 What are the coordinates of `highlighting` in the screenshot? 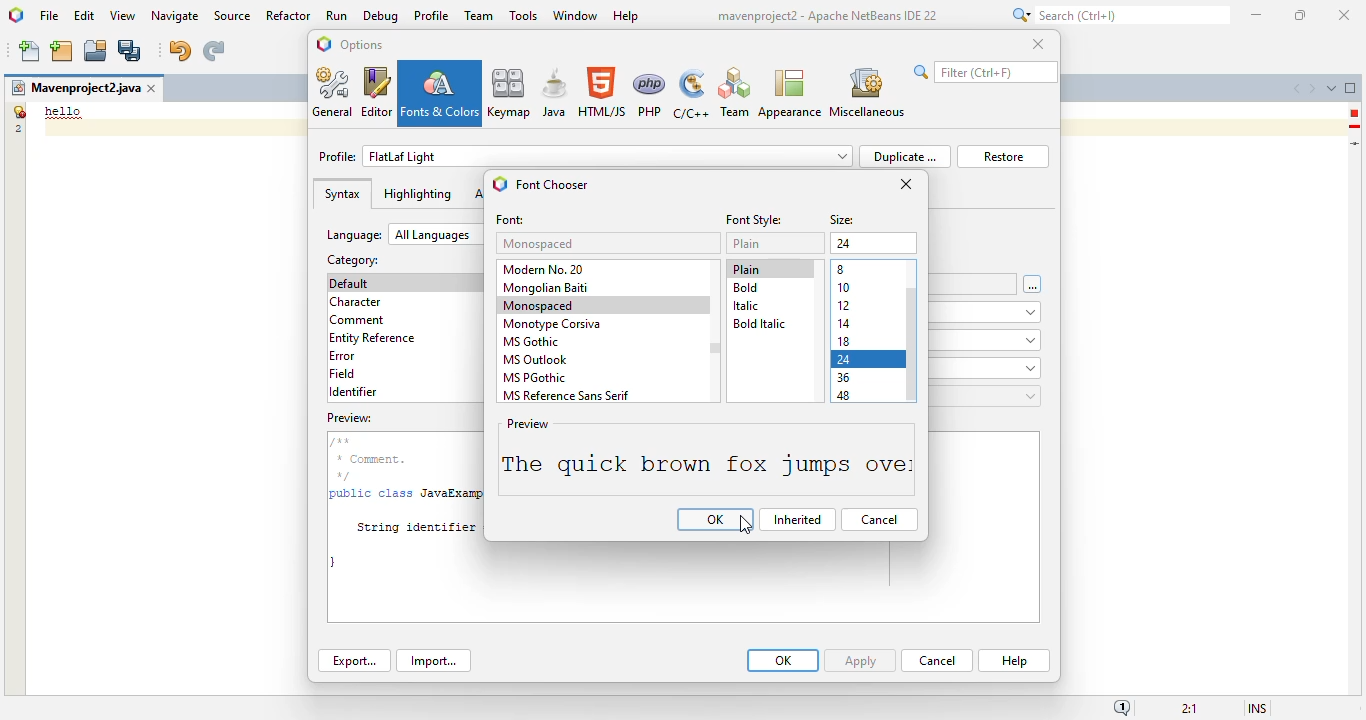 It's located at (417, 194).